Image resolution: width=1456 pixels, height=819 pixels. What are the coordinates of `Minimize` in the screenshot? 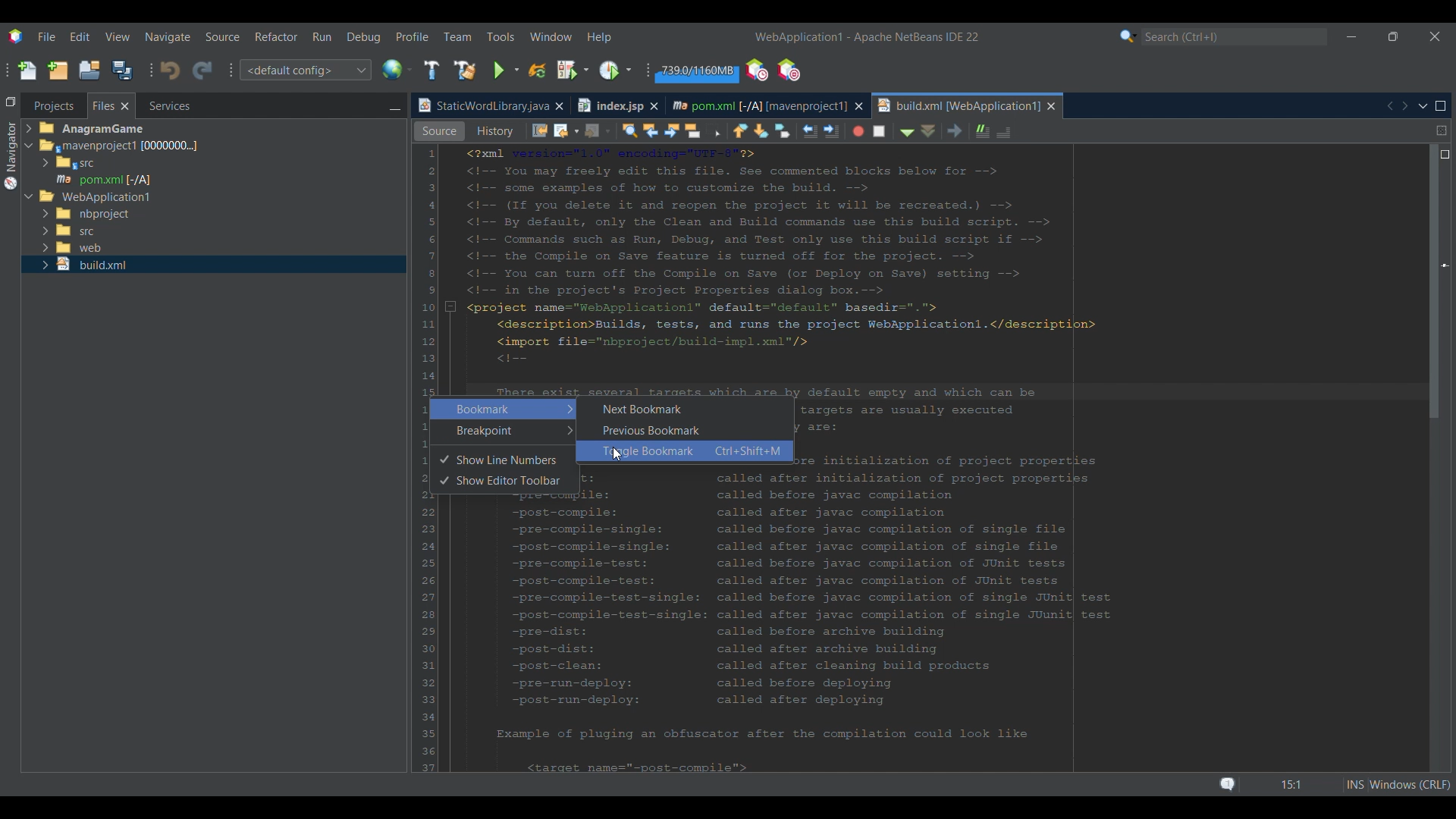 It's located at (1351, 37).